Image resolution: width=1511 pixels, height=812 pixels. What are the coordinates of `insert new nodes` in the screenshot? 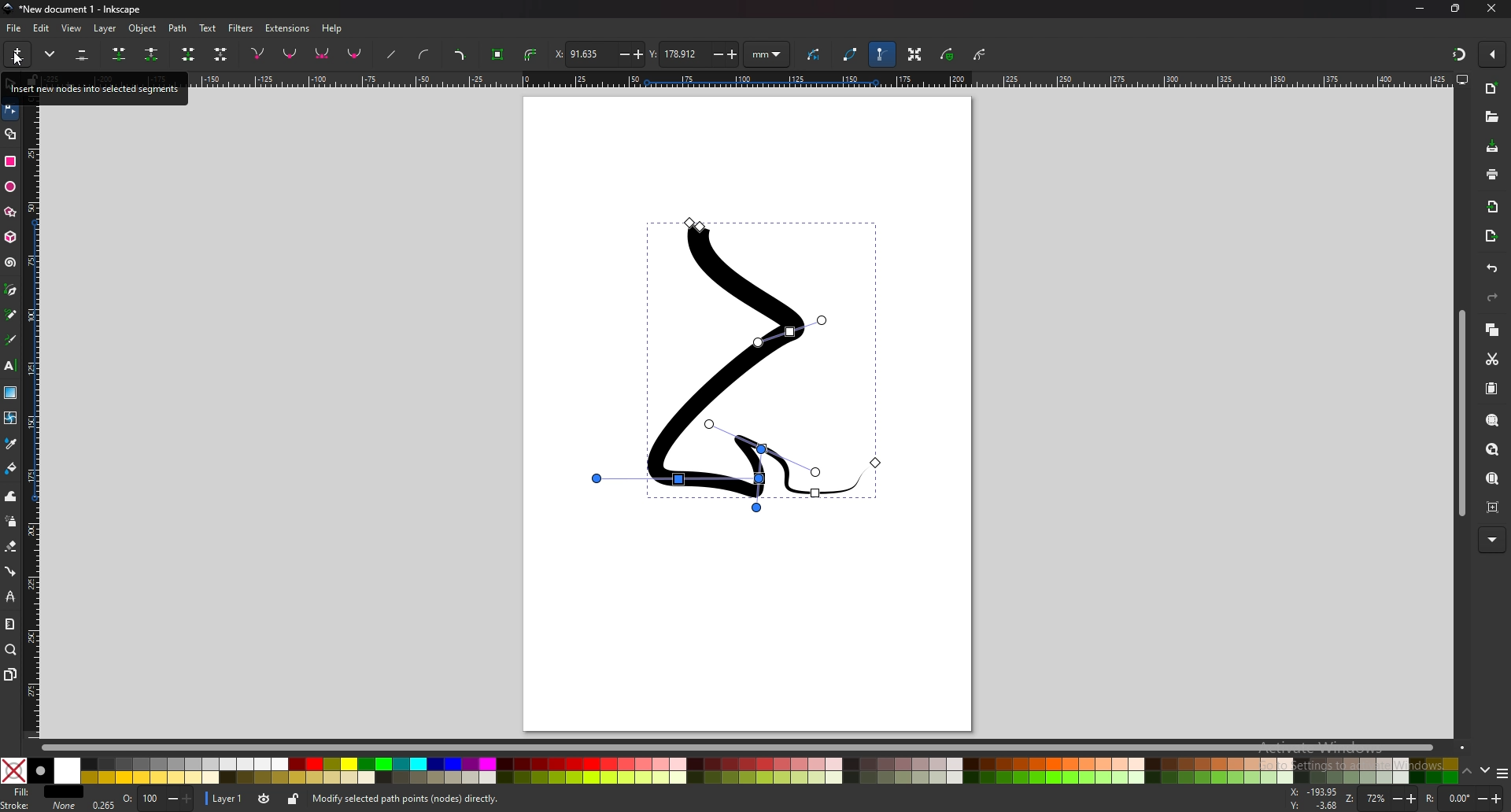 It's located at (18, 55).